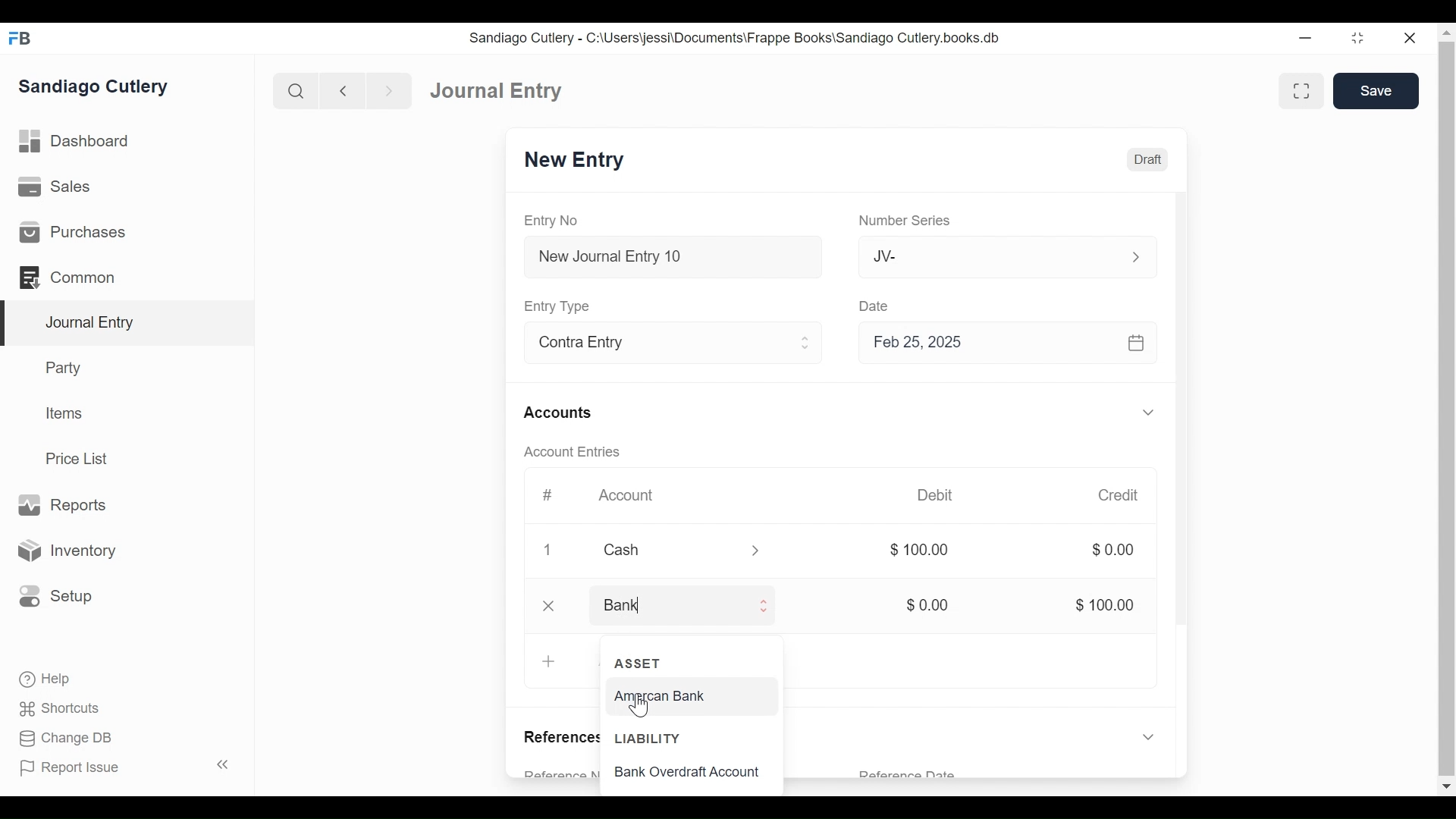  I want to click on Sandiago Cutlery - C:\Users\jessi\Documents\Frappe Books\Sandiago Cutlery.books.db, so click(742, 39).